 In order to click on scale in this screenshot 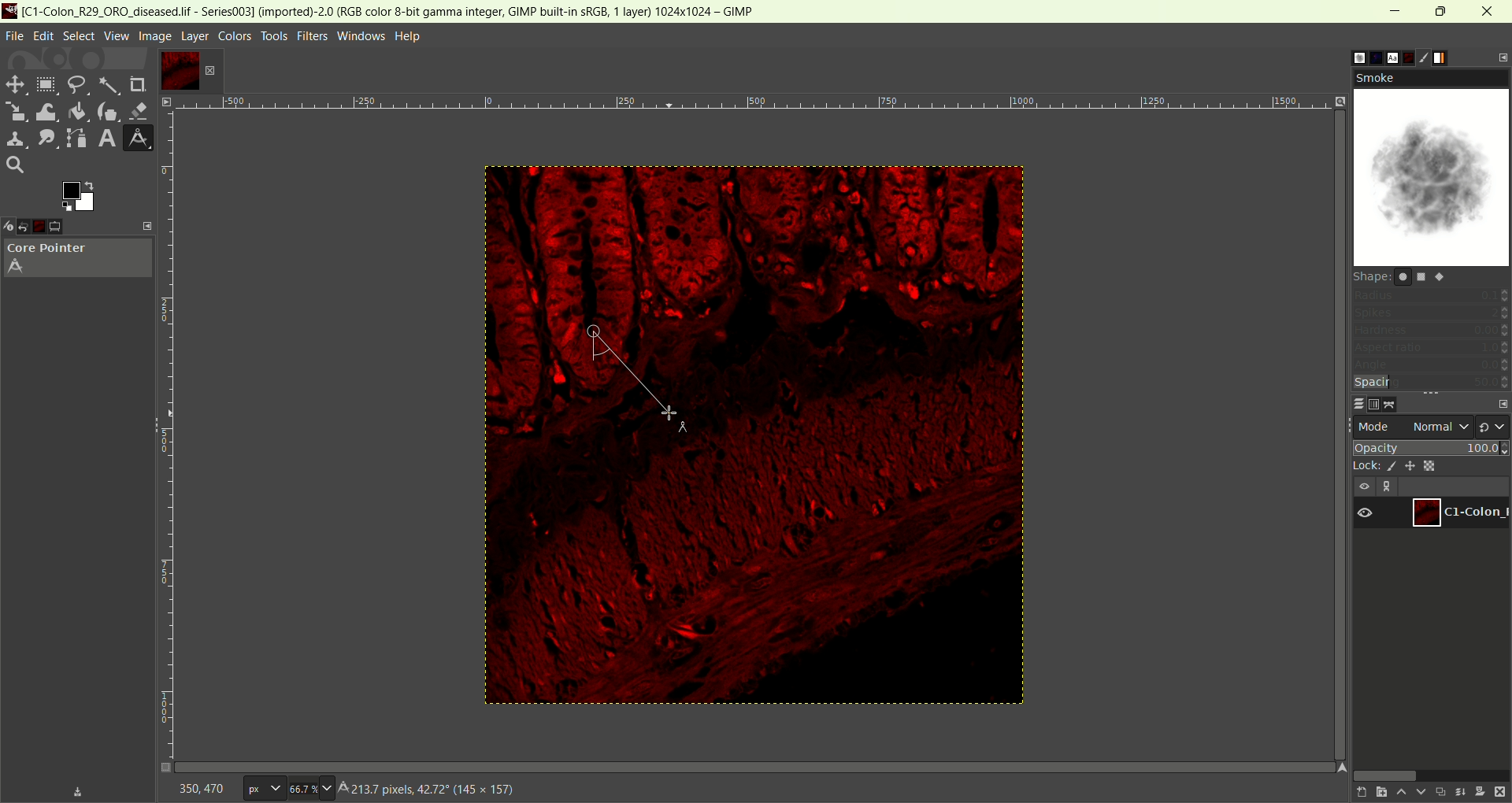, I will do `click(13, 109)`.